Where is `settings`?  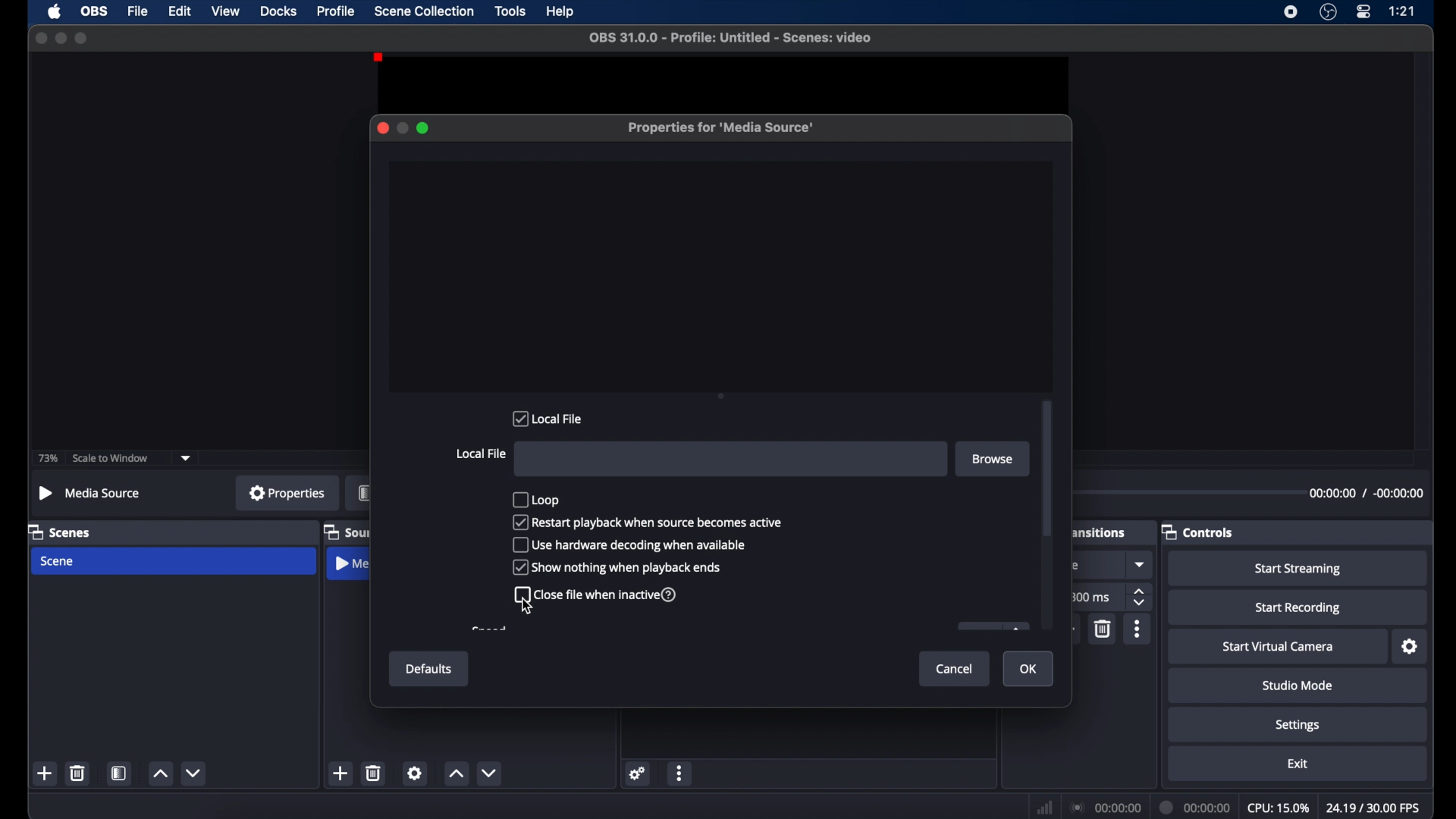 settings is located at coordinates (414, 773).